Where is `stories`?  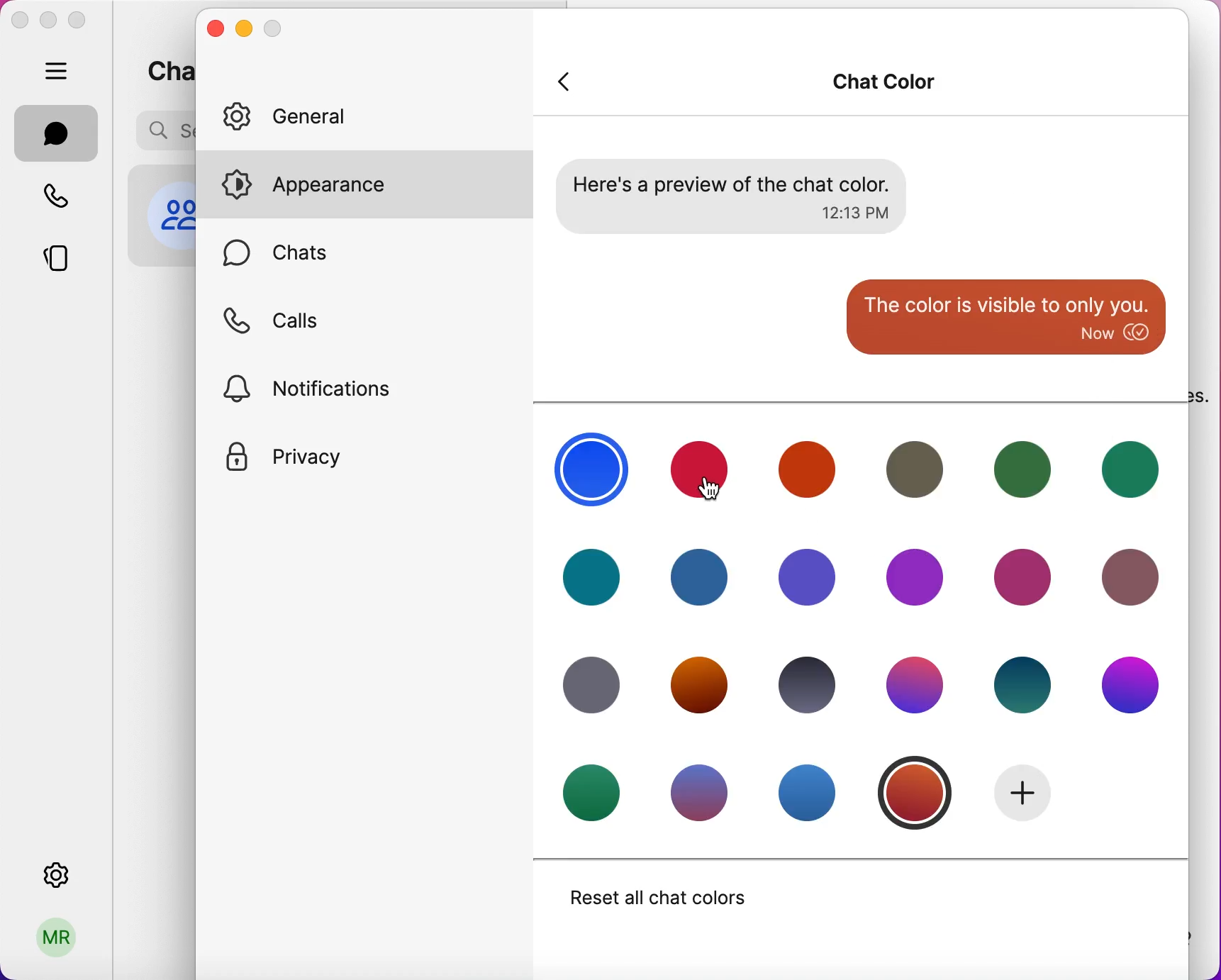
stories is located at coordinates (67, 253).